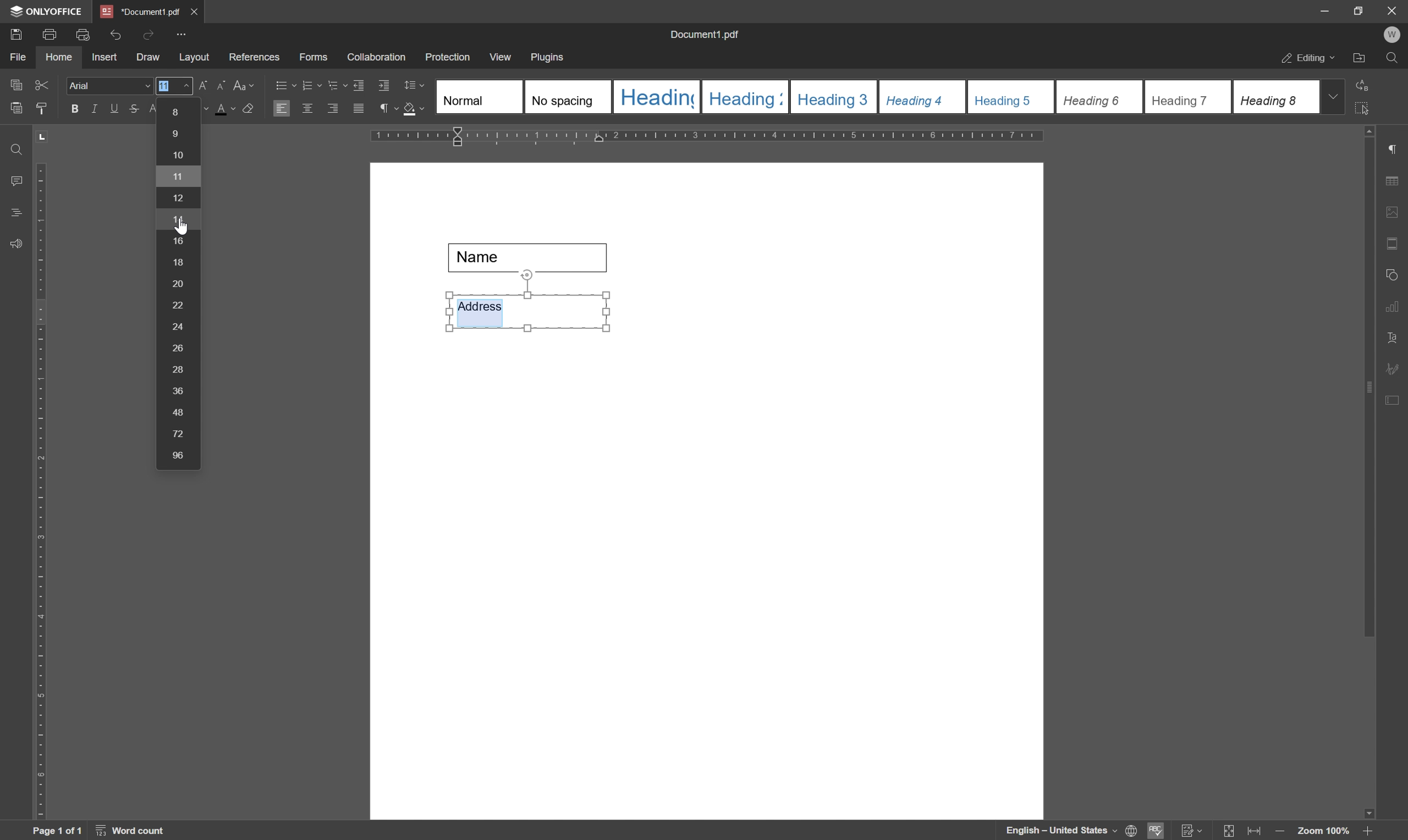 Image resolution: width=1408 pixels, height=840 pixels. What do you see at coordinates (311, 84) in the screenshot?
I see `numbering` at bounding box center [311, 84].